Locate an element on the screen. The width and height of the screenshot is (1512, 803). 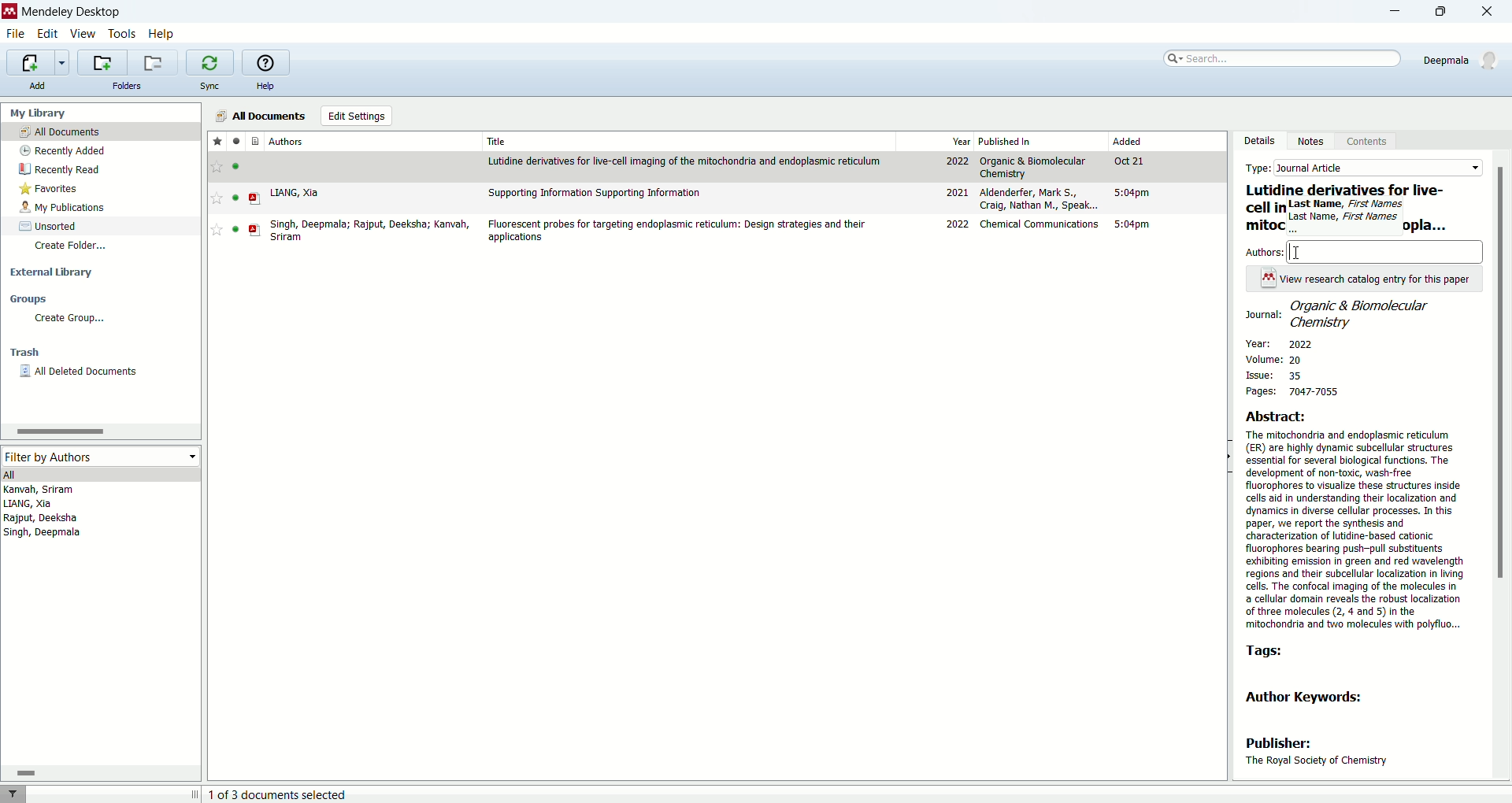
minimize is located at coordinates (1399, 10).